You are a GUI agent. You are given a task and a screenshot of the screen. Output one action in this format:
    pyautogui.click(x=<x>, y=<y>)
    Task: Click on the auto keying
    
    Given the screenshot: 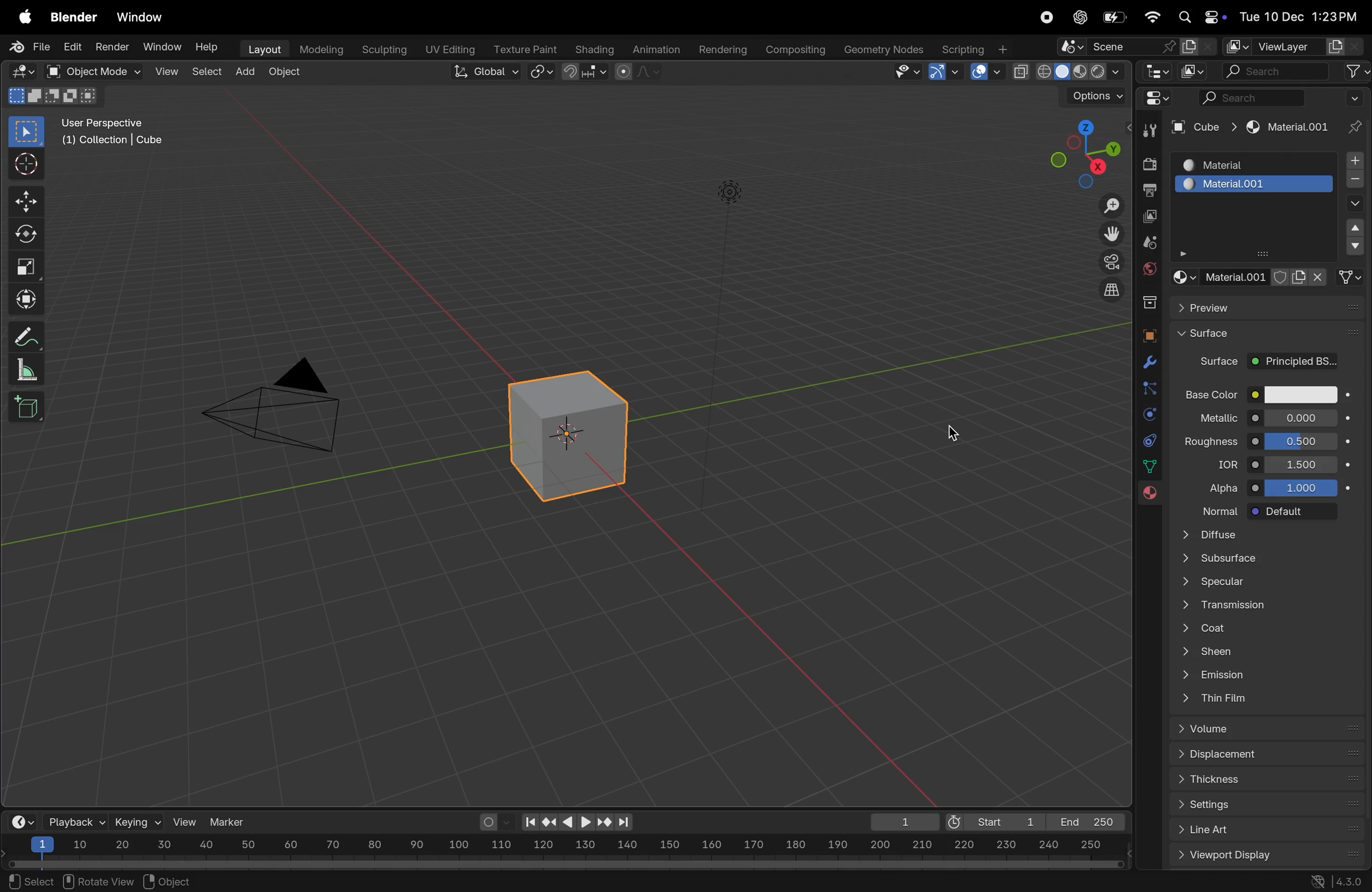 What is the action you would take?
    pyautogui.click(x=493, y=822)
    